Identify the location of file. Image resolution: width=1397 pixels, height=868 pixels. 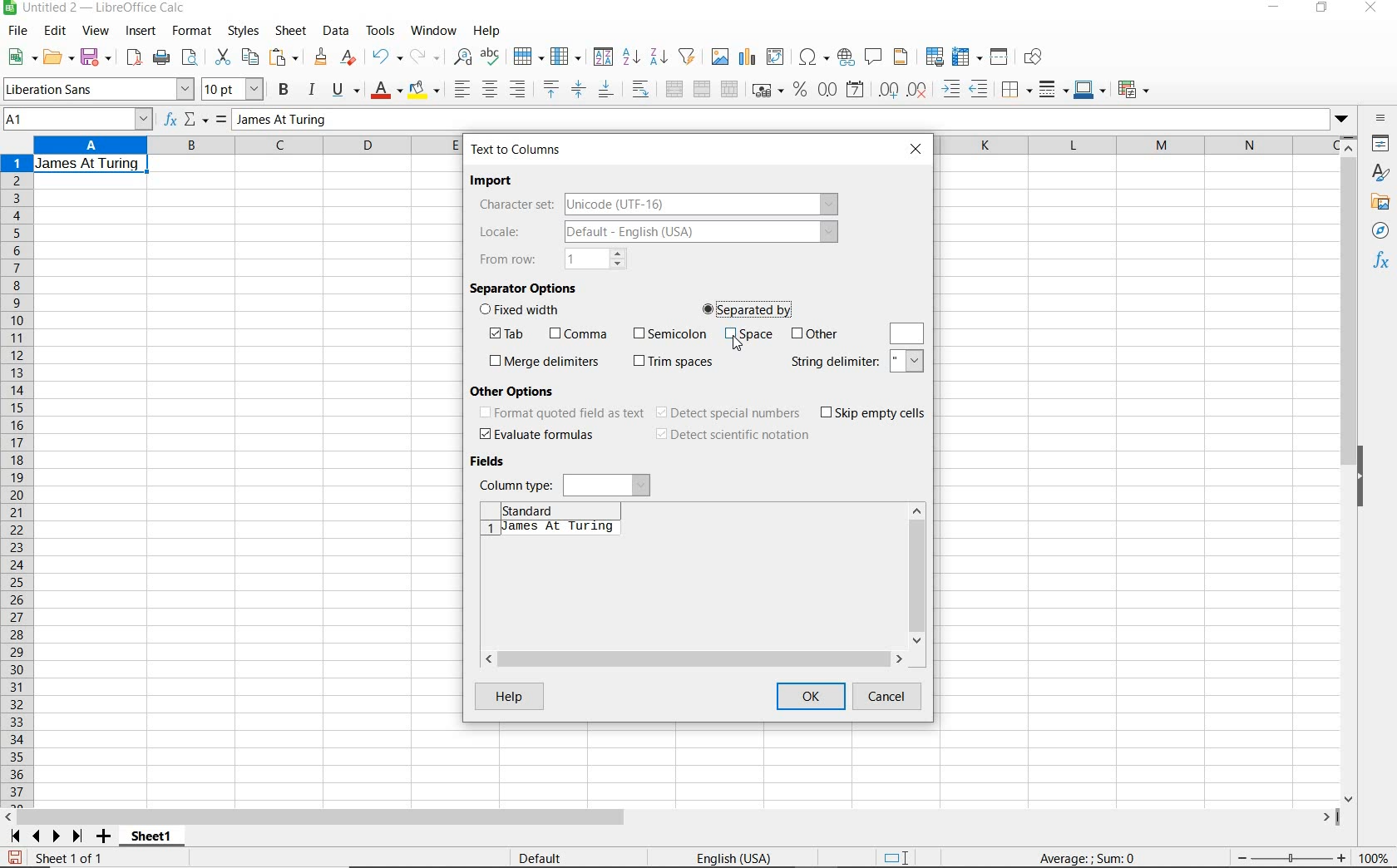
(16, 32).